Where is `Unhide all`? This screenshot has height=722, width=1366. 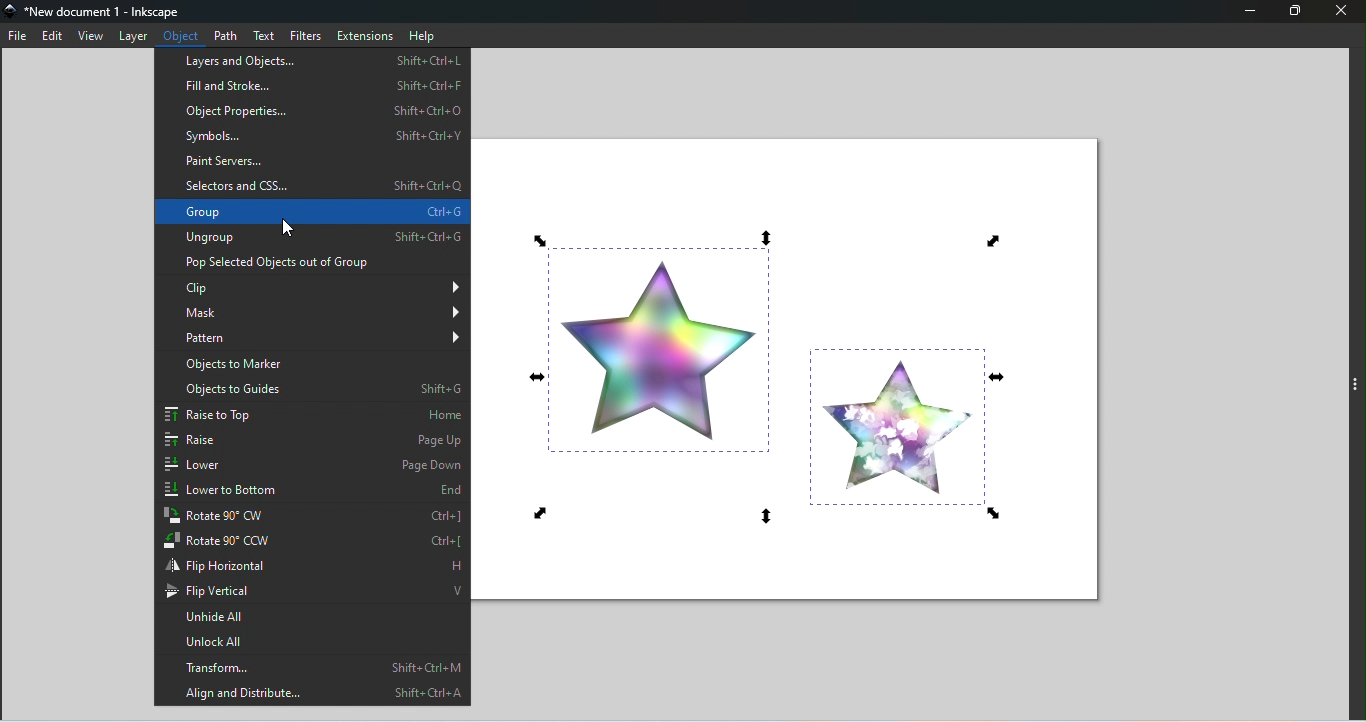
Unhide all is located at coordinates (315, 613).